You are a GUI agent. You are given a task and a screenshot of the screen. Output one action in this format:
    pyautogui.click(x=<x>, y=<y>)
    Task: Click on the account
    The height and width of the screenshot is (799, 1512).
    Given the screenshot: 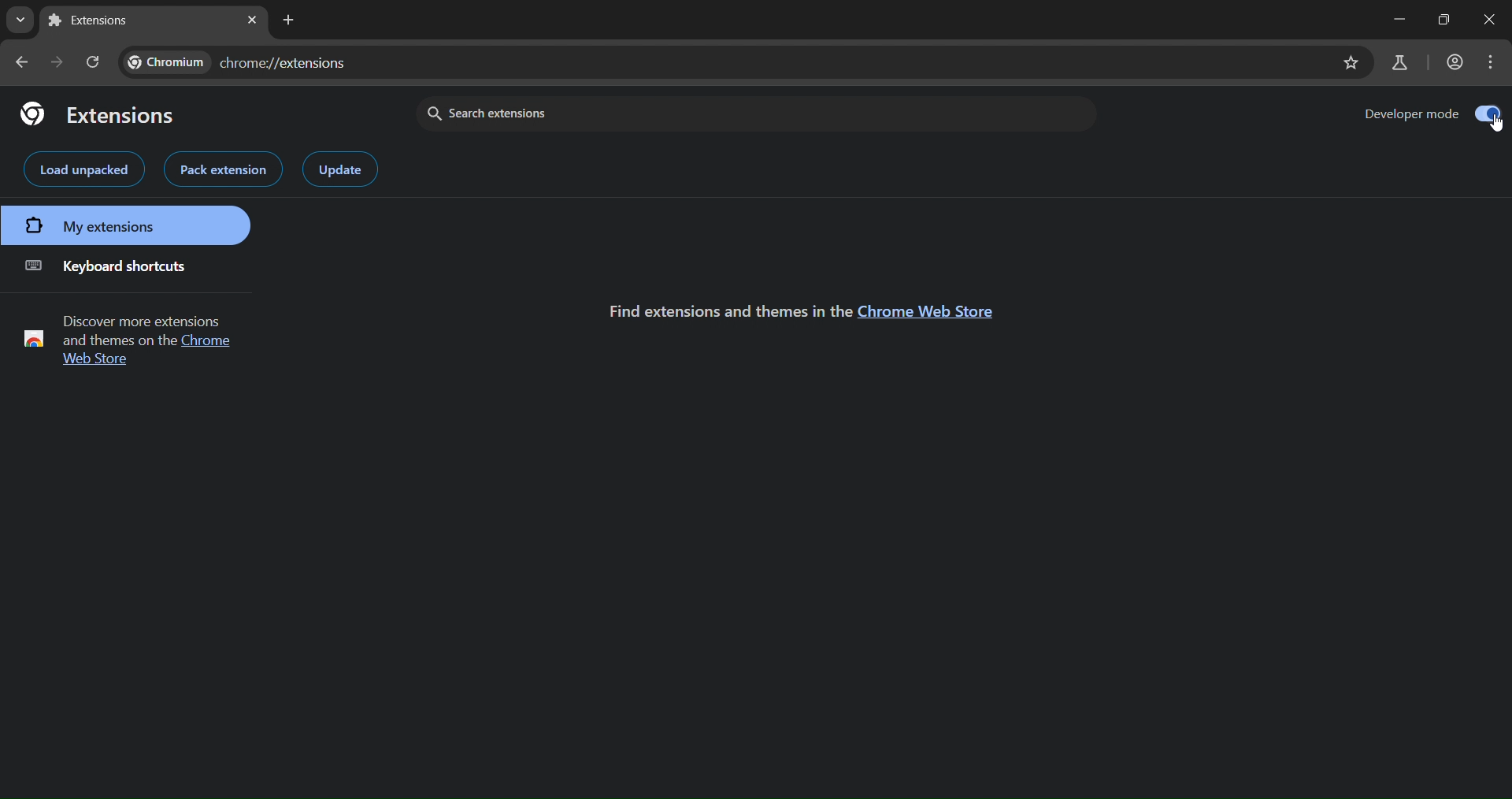 What is the action you would take?
    pyautogui.click(x=1455, y=61)
    